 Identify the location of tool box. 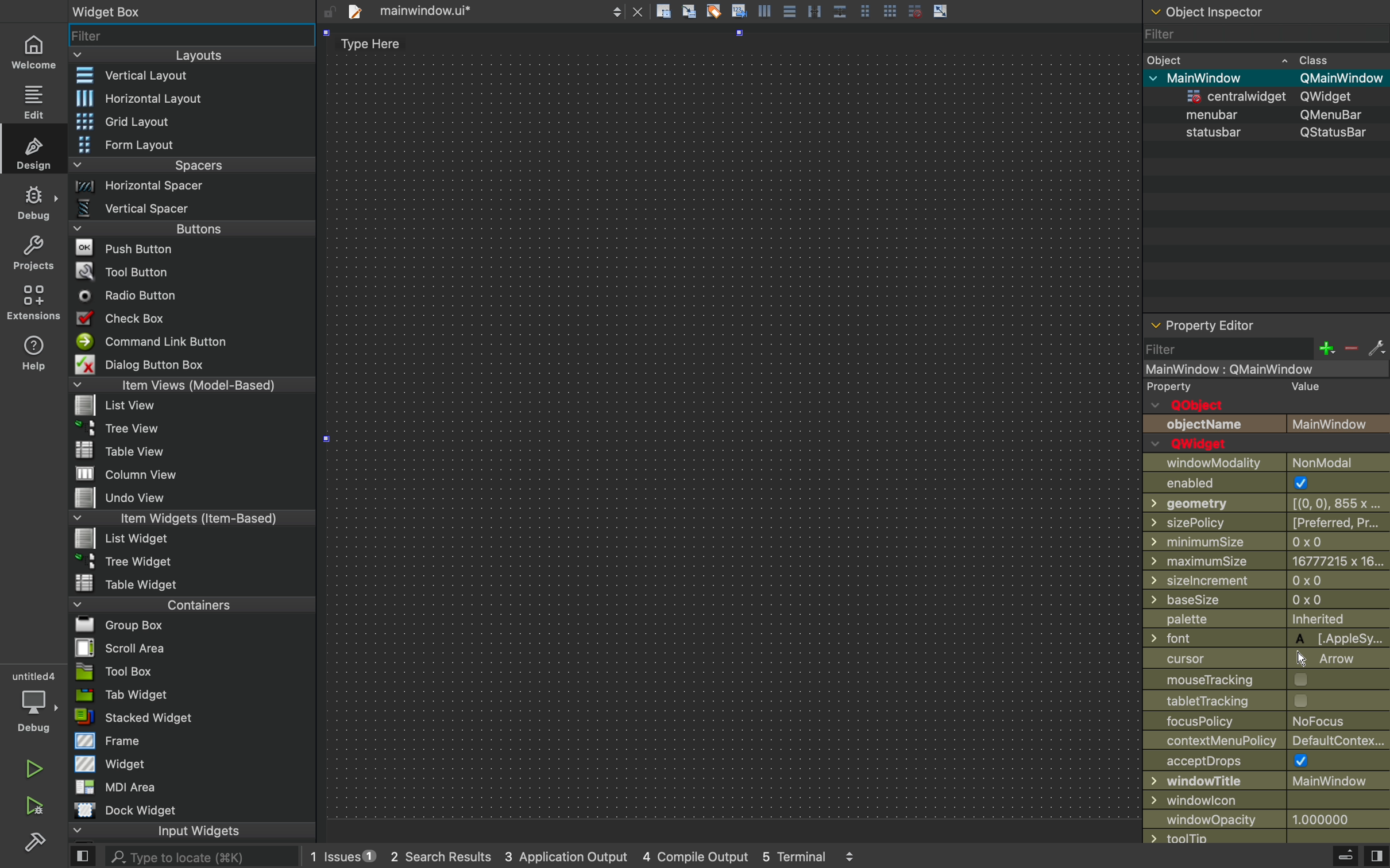
(194, 672).